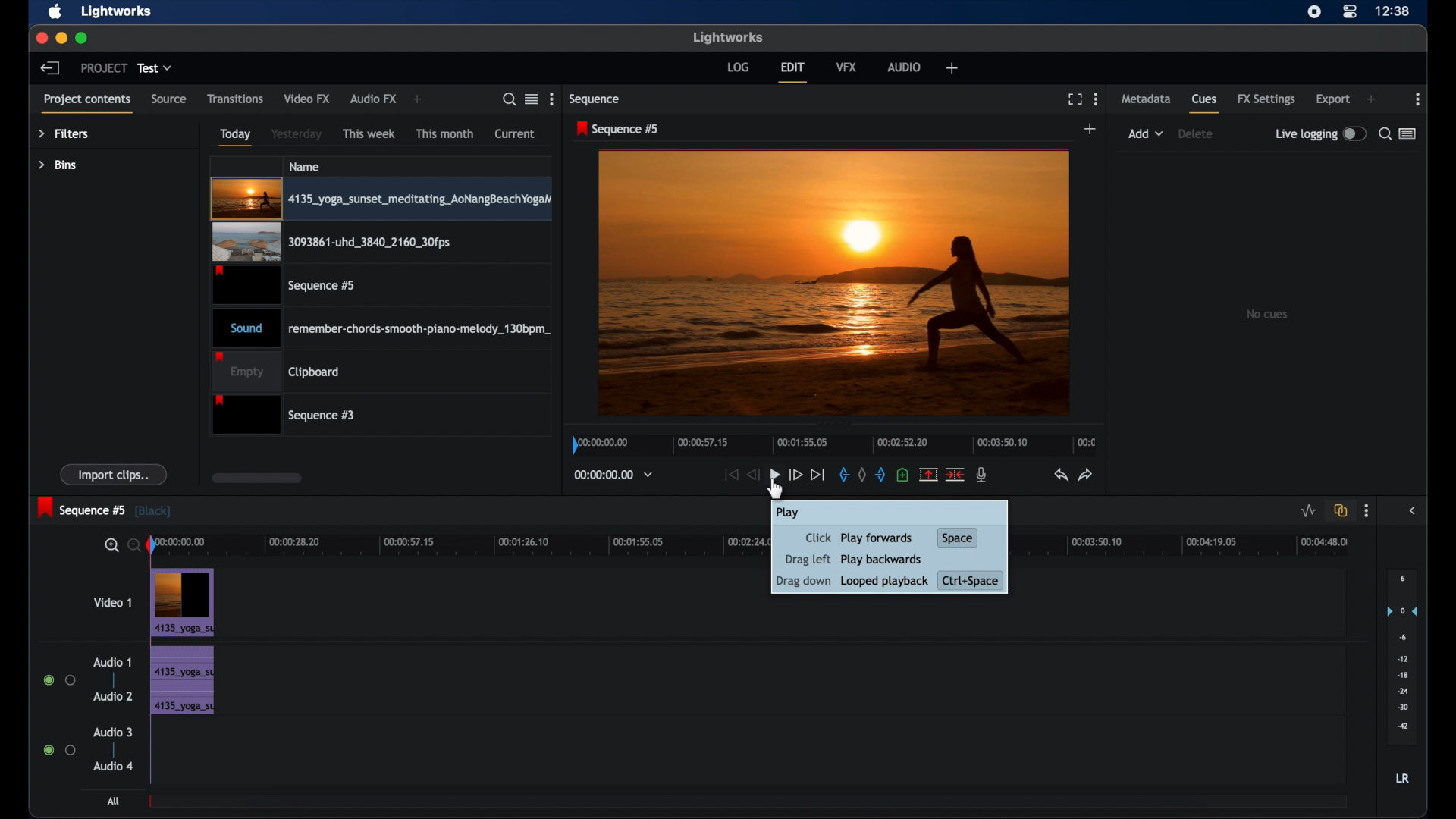 The height and width of the screenshot is (819, 1456). Describe the element at coordinates (305, 166) in the screenshot. I see `name` at that location.